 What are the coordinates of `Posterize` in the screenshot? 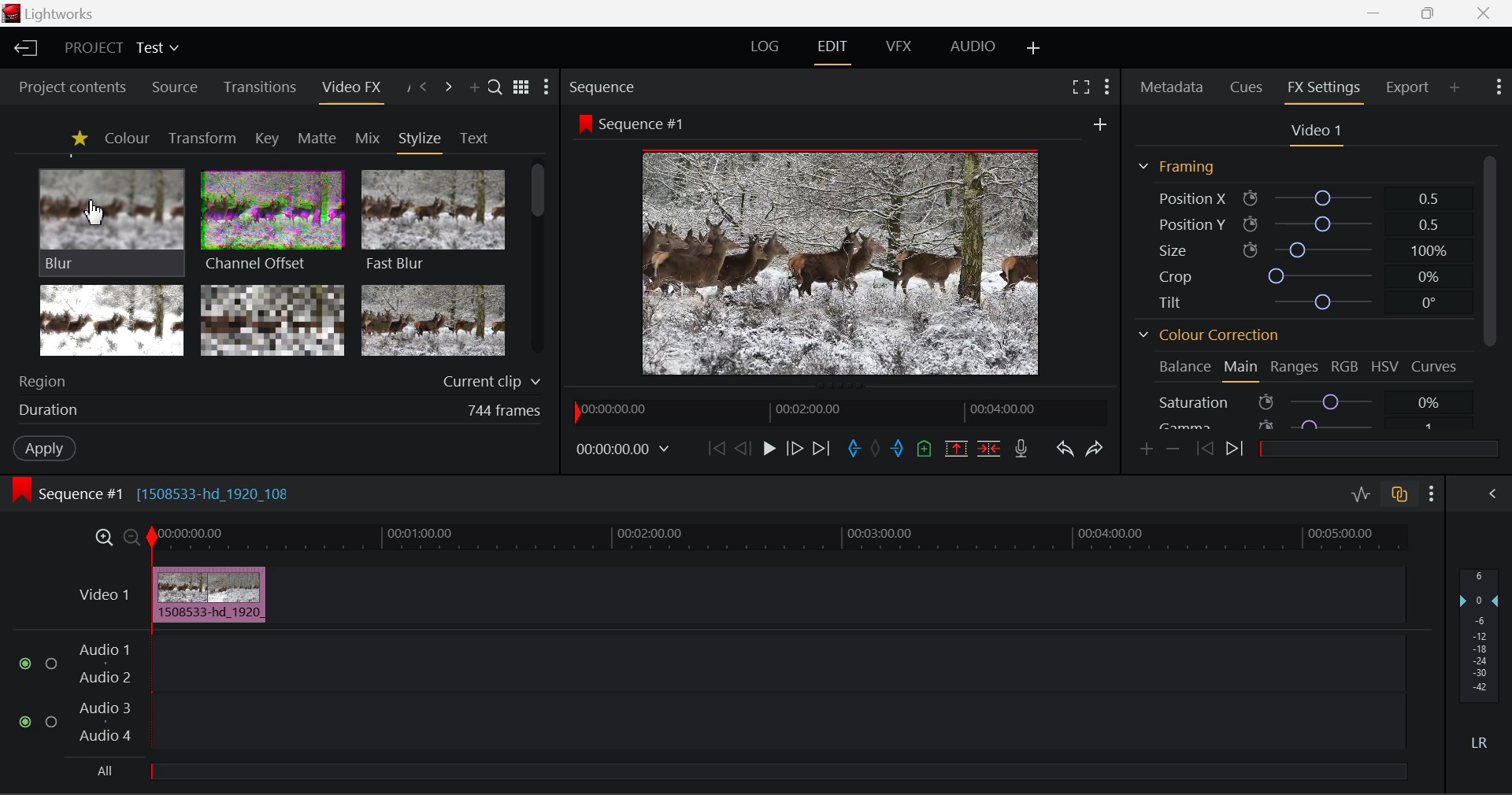 It's located at (435, 321).